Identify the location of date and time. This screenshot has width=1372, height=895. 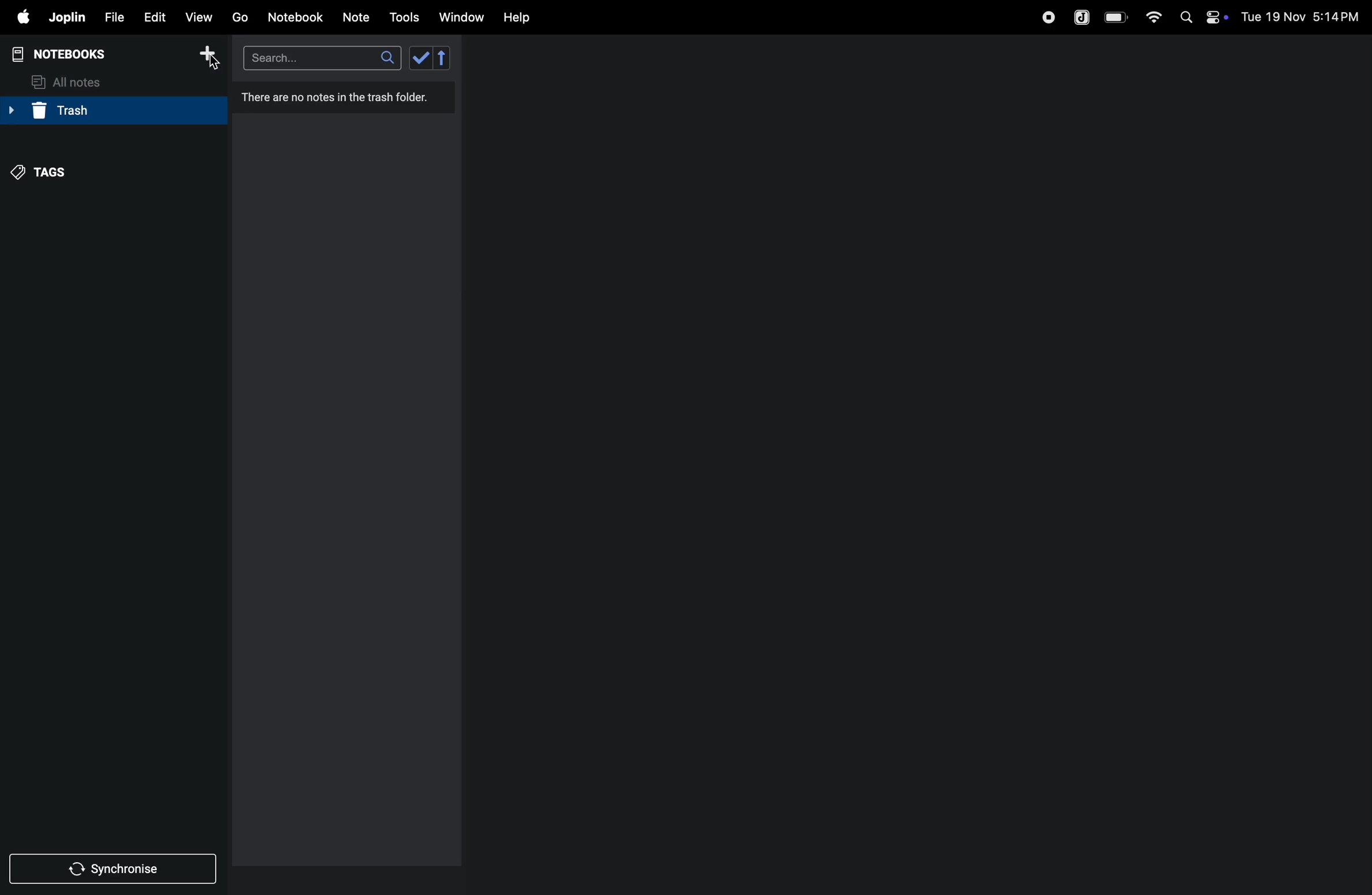
(1304, 16).